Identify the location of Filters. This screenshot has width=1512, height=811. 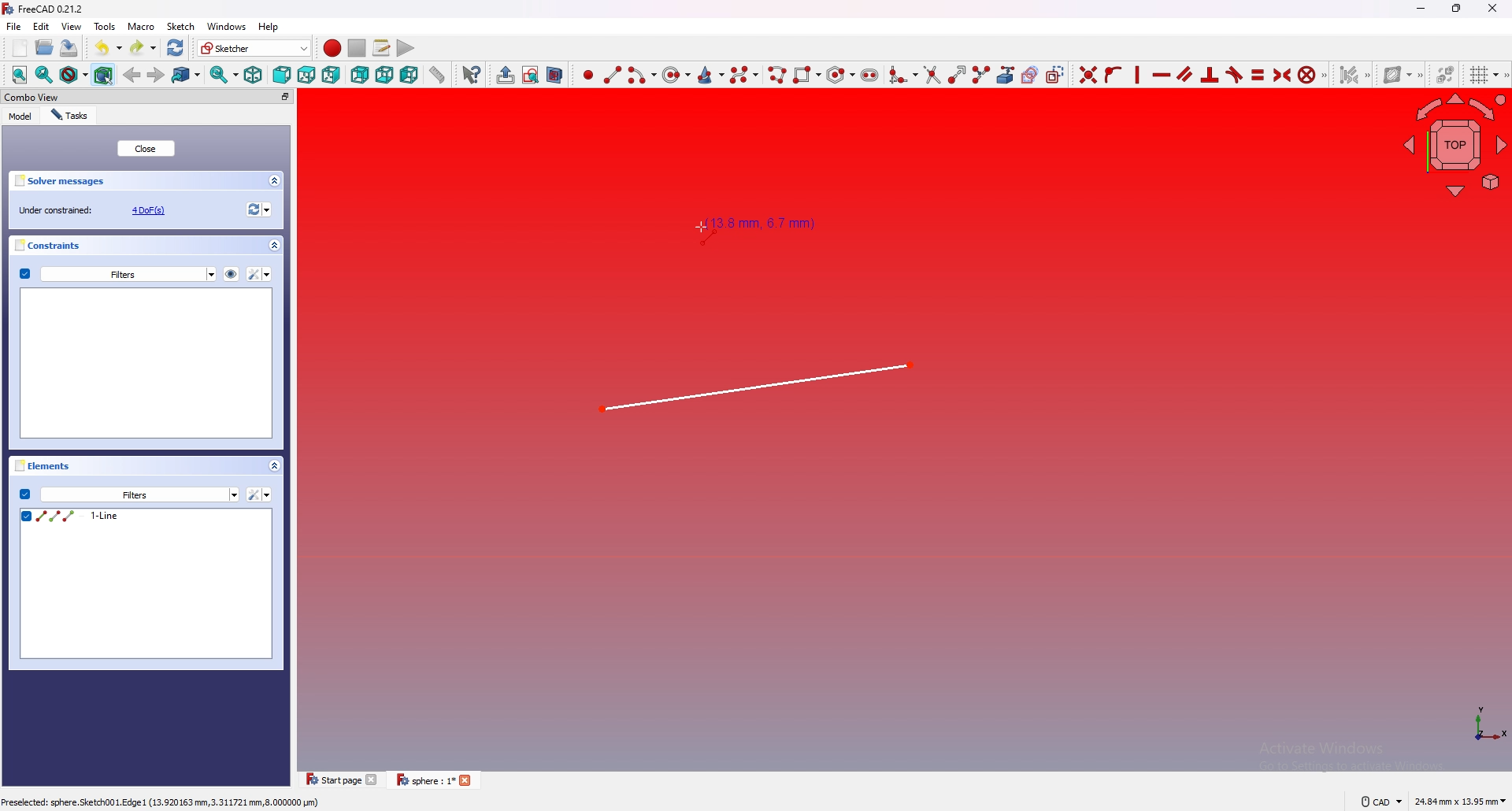
(128, 273).